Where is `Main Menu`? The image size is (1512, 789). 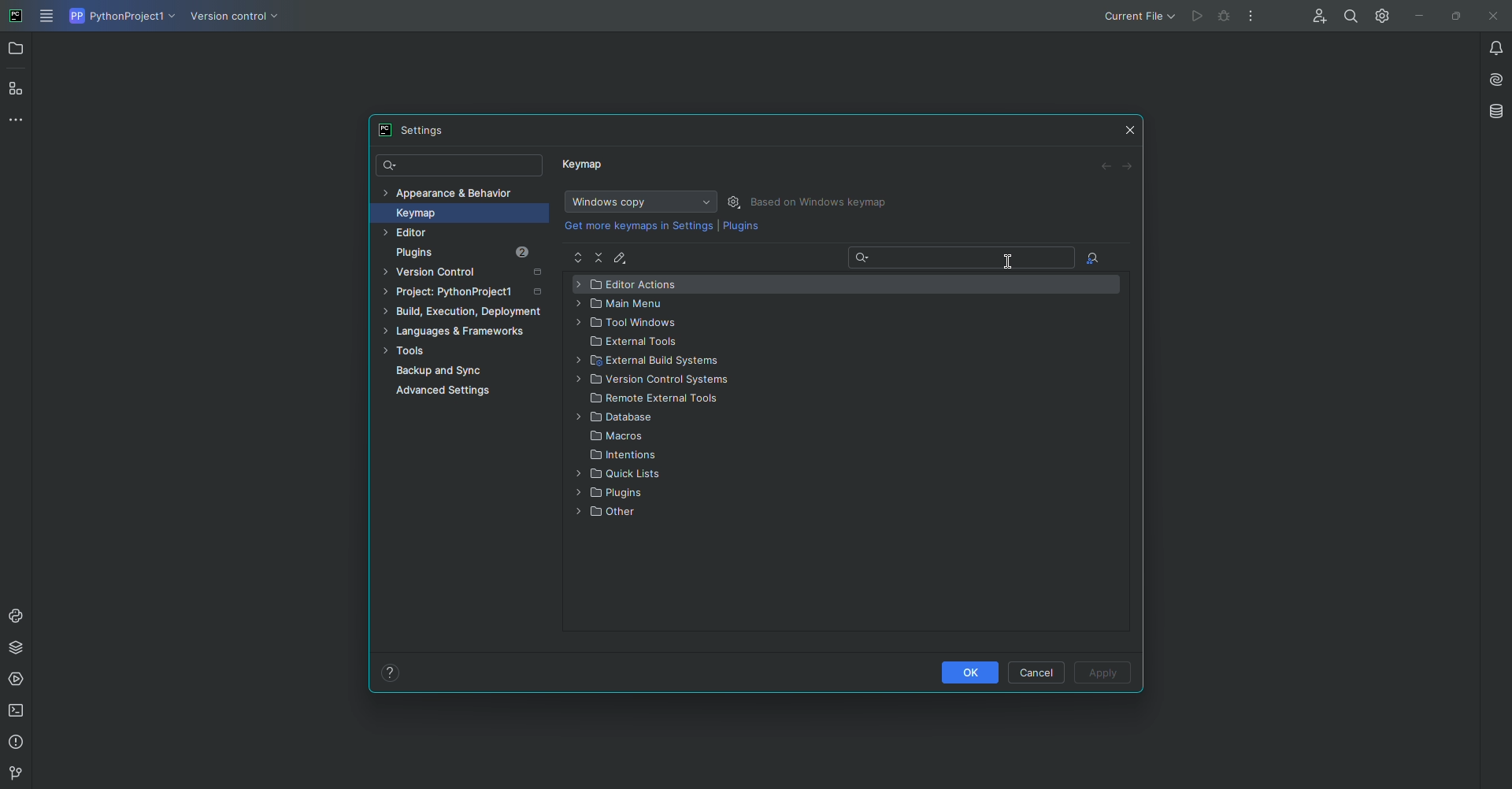 Main Menu is located at coordinates (48, 17).